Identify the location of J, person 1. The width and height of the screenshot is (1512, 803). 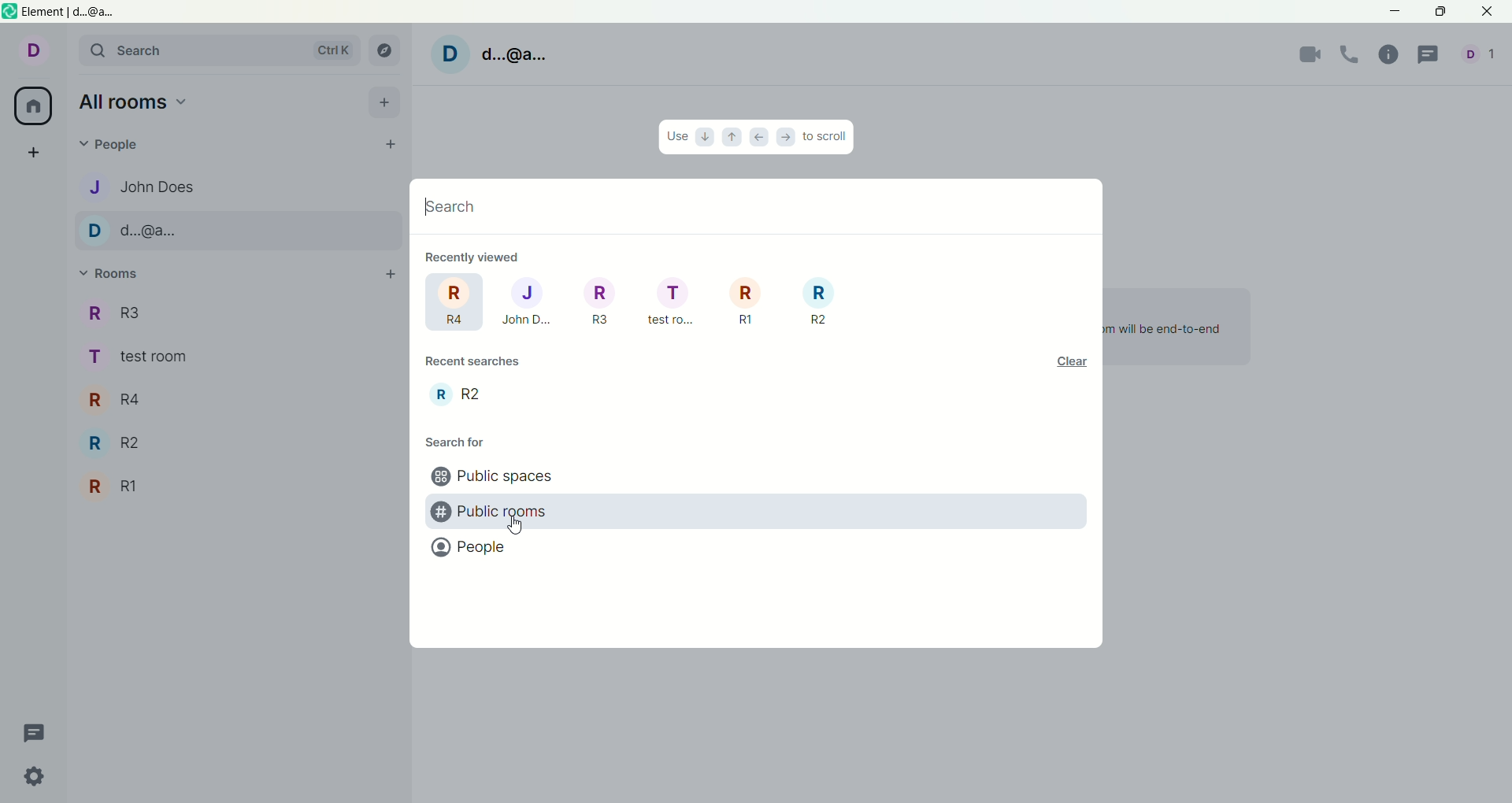
(235, 187).